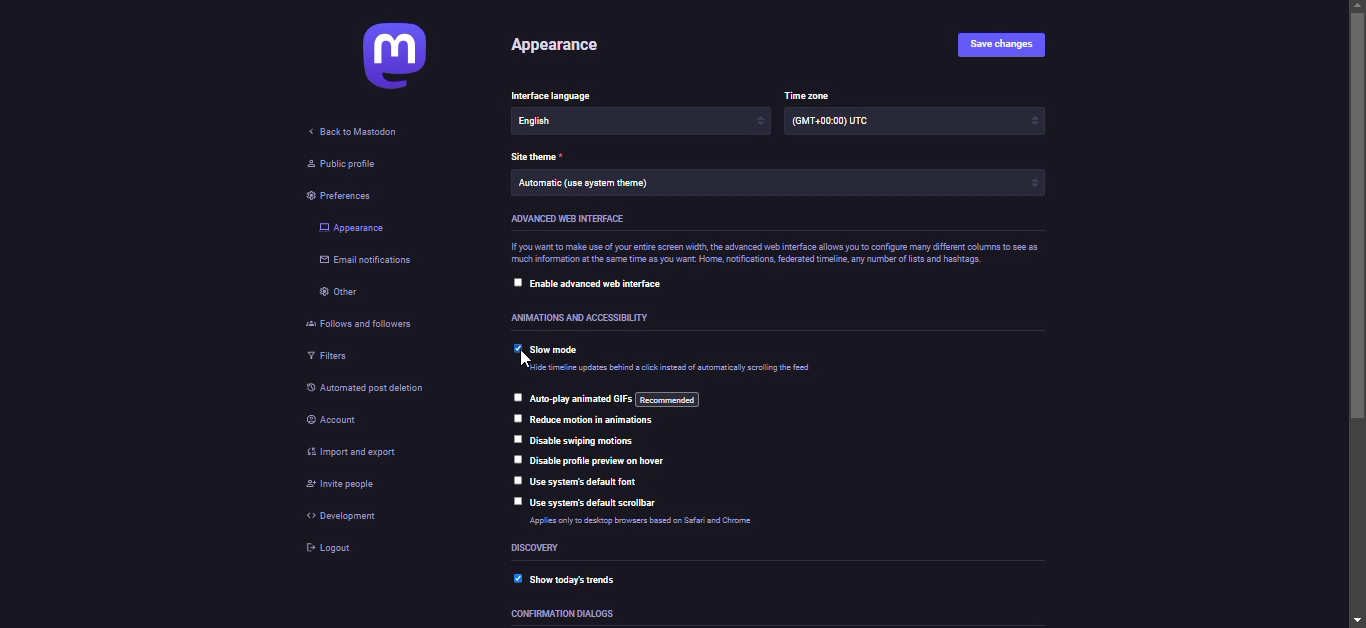 The image size is (1366, 628). I want to click on time zone, so click(804, 94).